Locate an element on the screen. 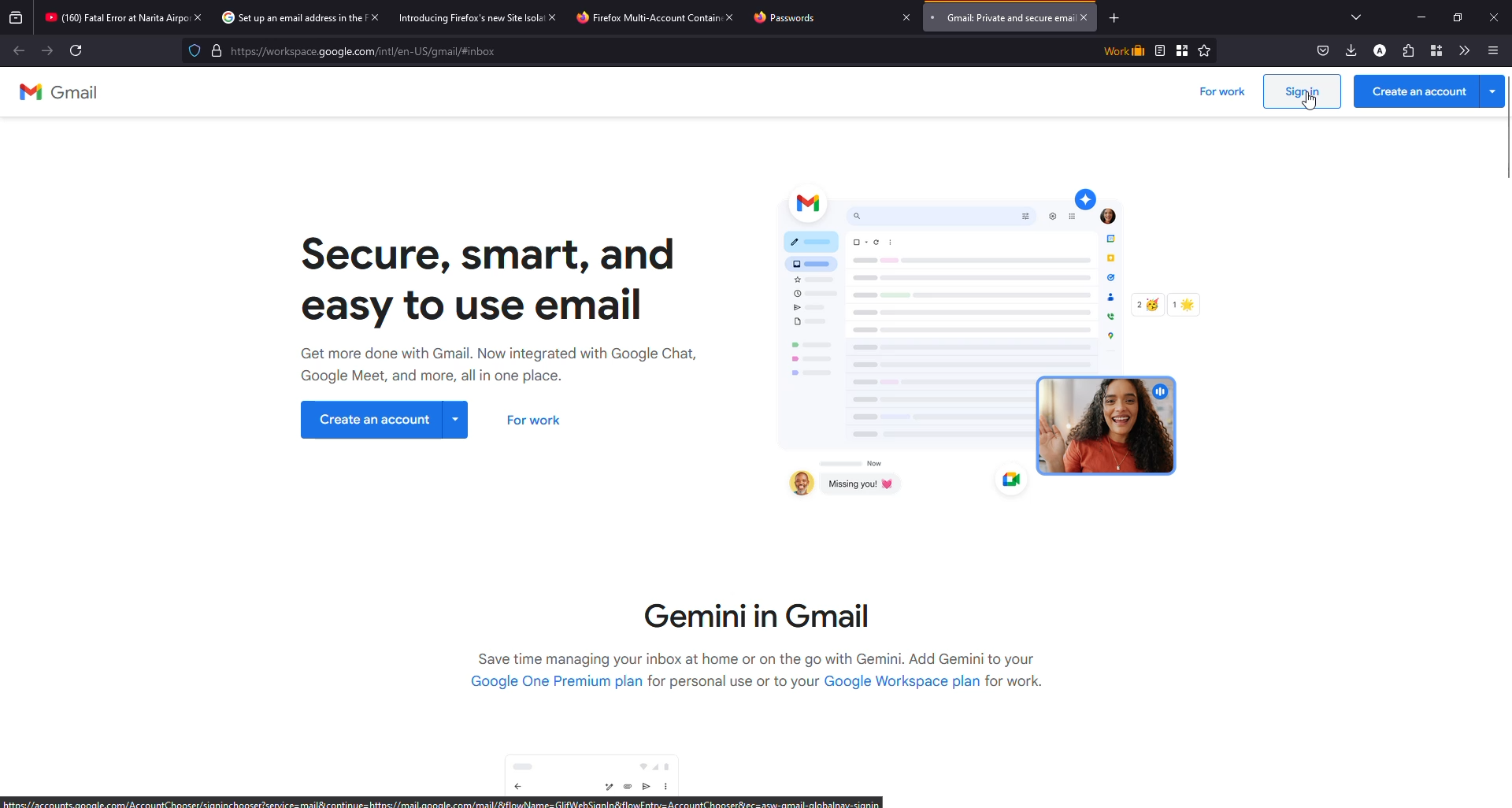 Image resolution: width=1512 pixels, height=808 pixels. close is located at coordinates (903, 17).